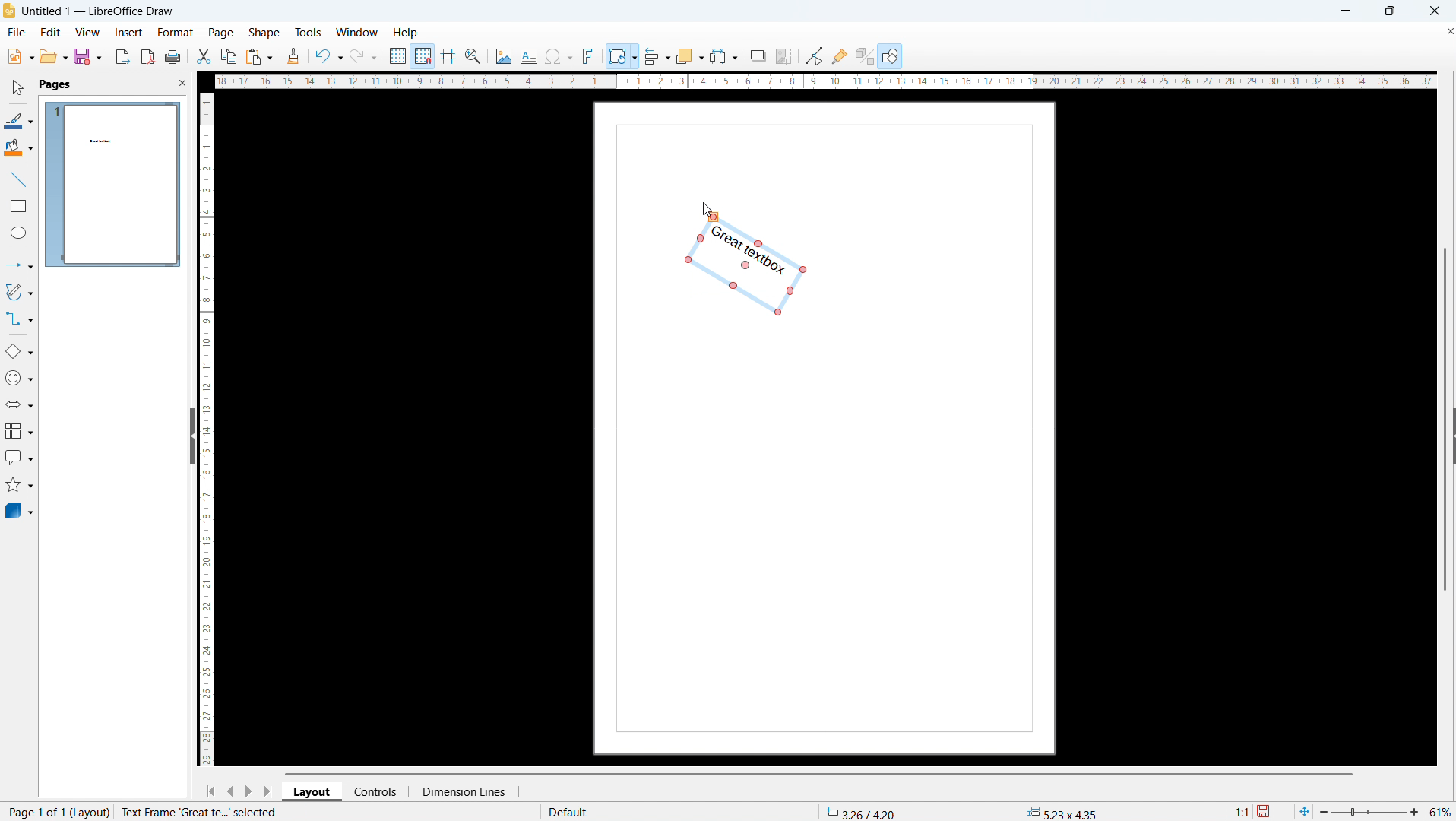 The height and width of the screenshot is (821, 1456). Describe the element at coordinates (230, 791) in the screenshot. I see `previous page` at that location.